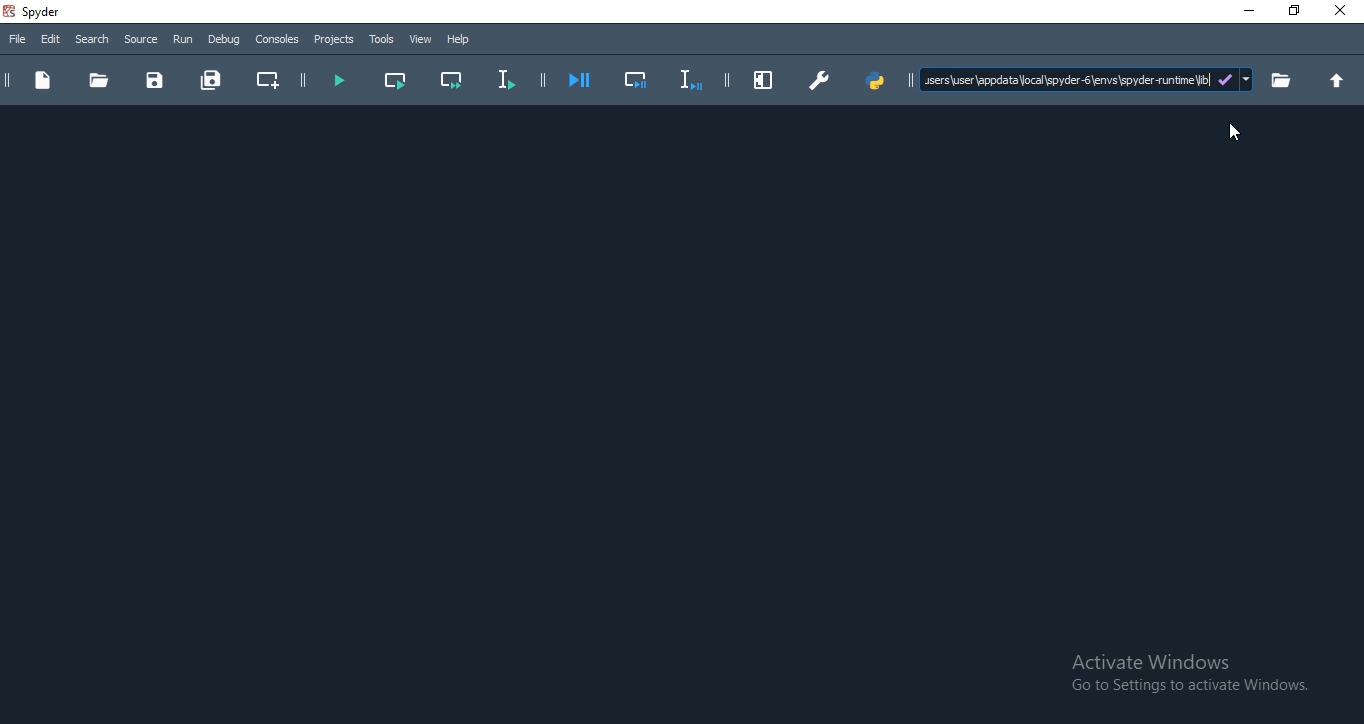 The image size is (1364, 724). What do you see at coordinates (460, 40) in the screenshot?
I see `help` at bounding box center [460, 40].